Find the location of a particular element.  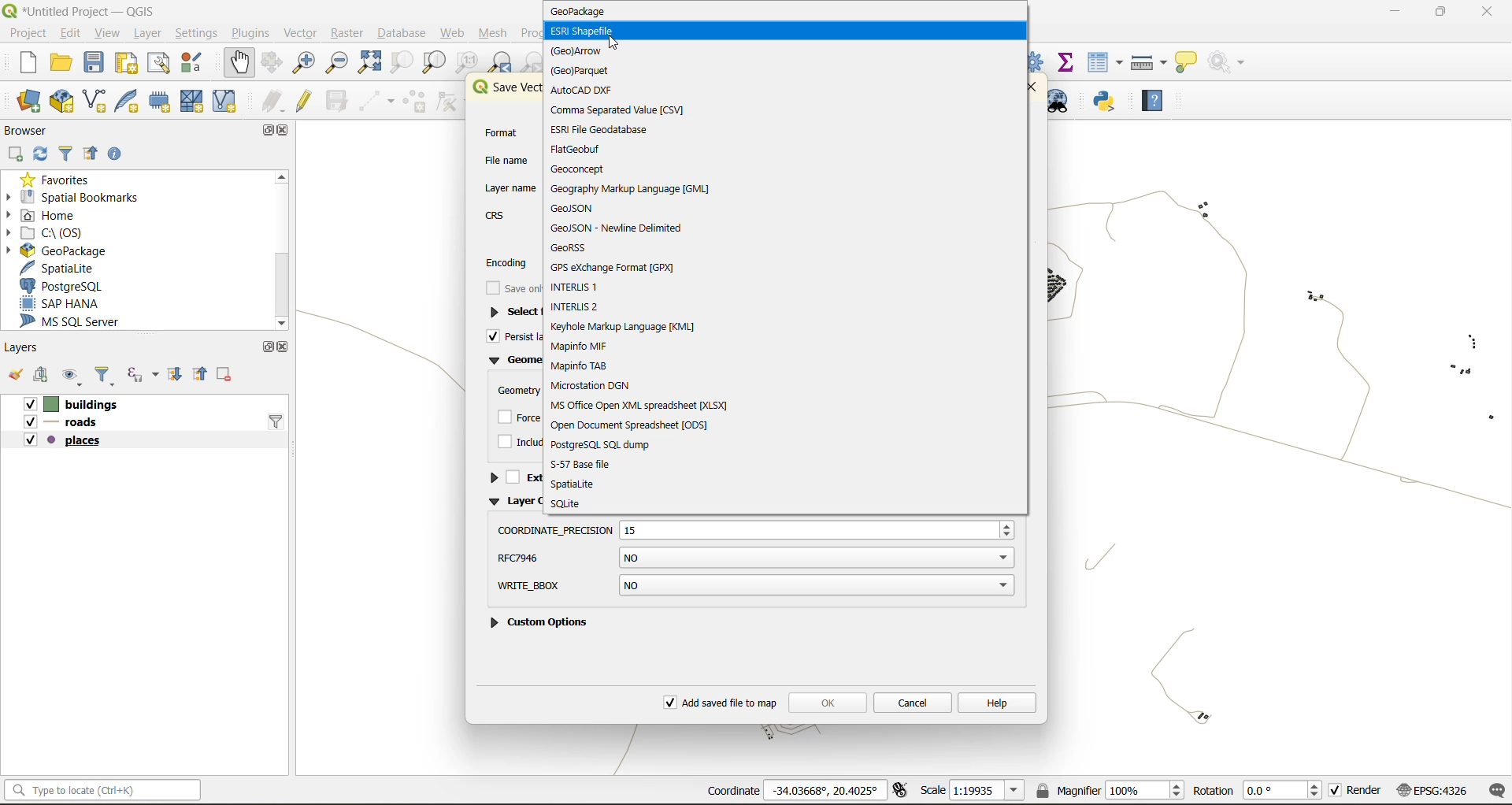

log messages is located at coordinates (1495, 791).